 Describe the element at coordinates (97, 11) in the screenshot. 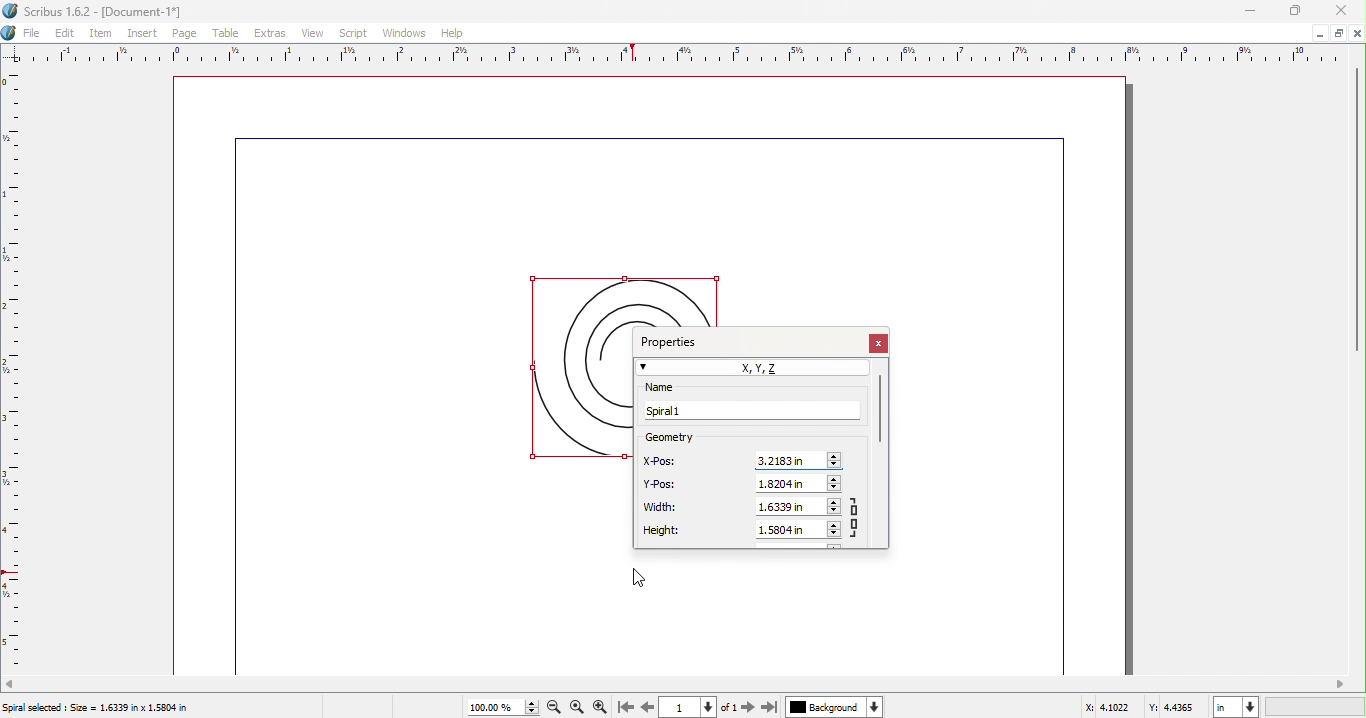

I see `File name` at that location.